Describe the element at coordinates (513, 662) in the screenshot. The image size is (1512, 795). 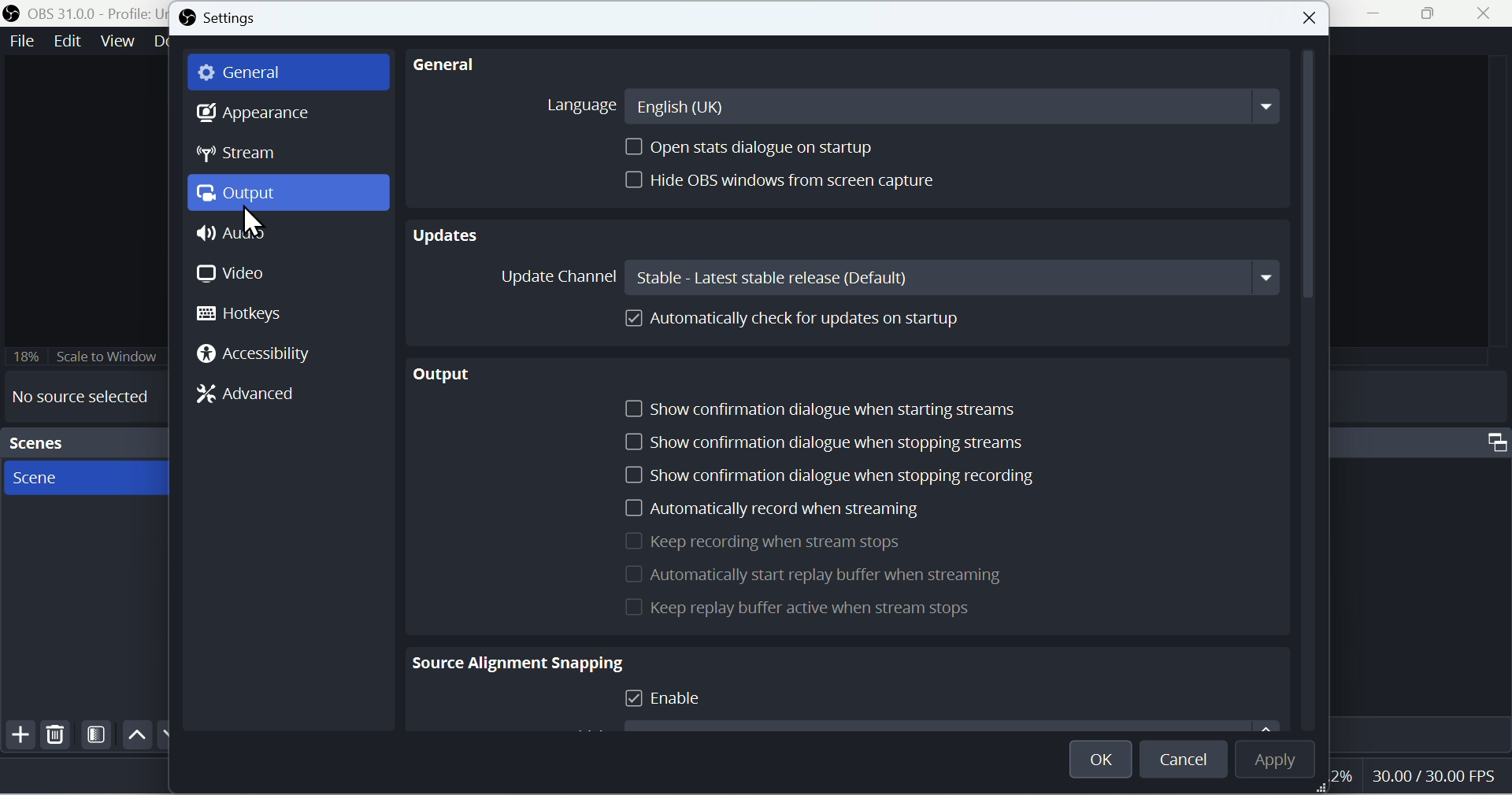
I see `Source Alignment Snapping` at that location.